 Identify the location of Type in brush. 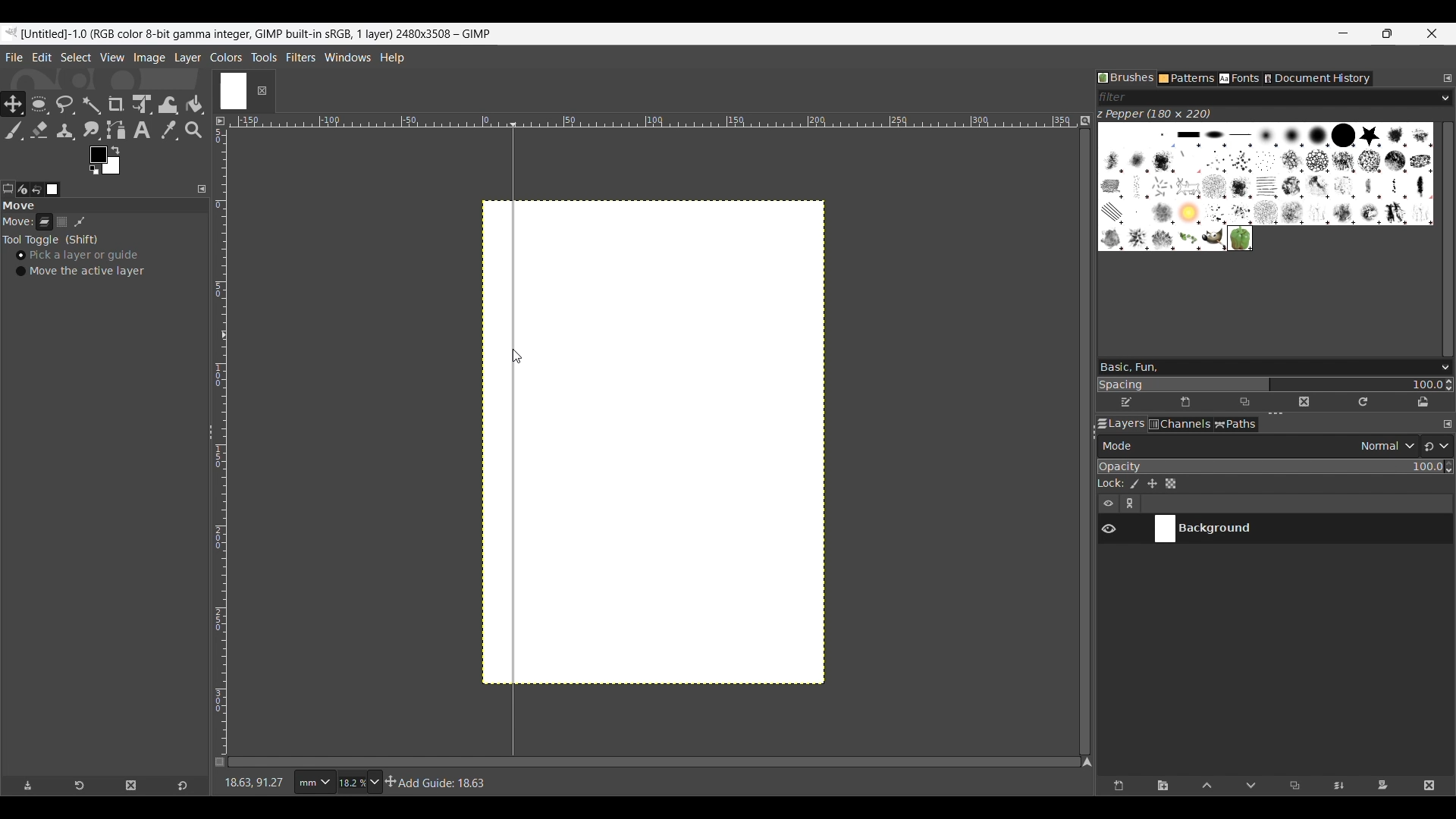
(1262, 367).